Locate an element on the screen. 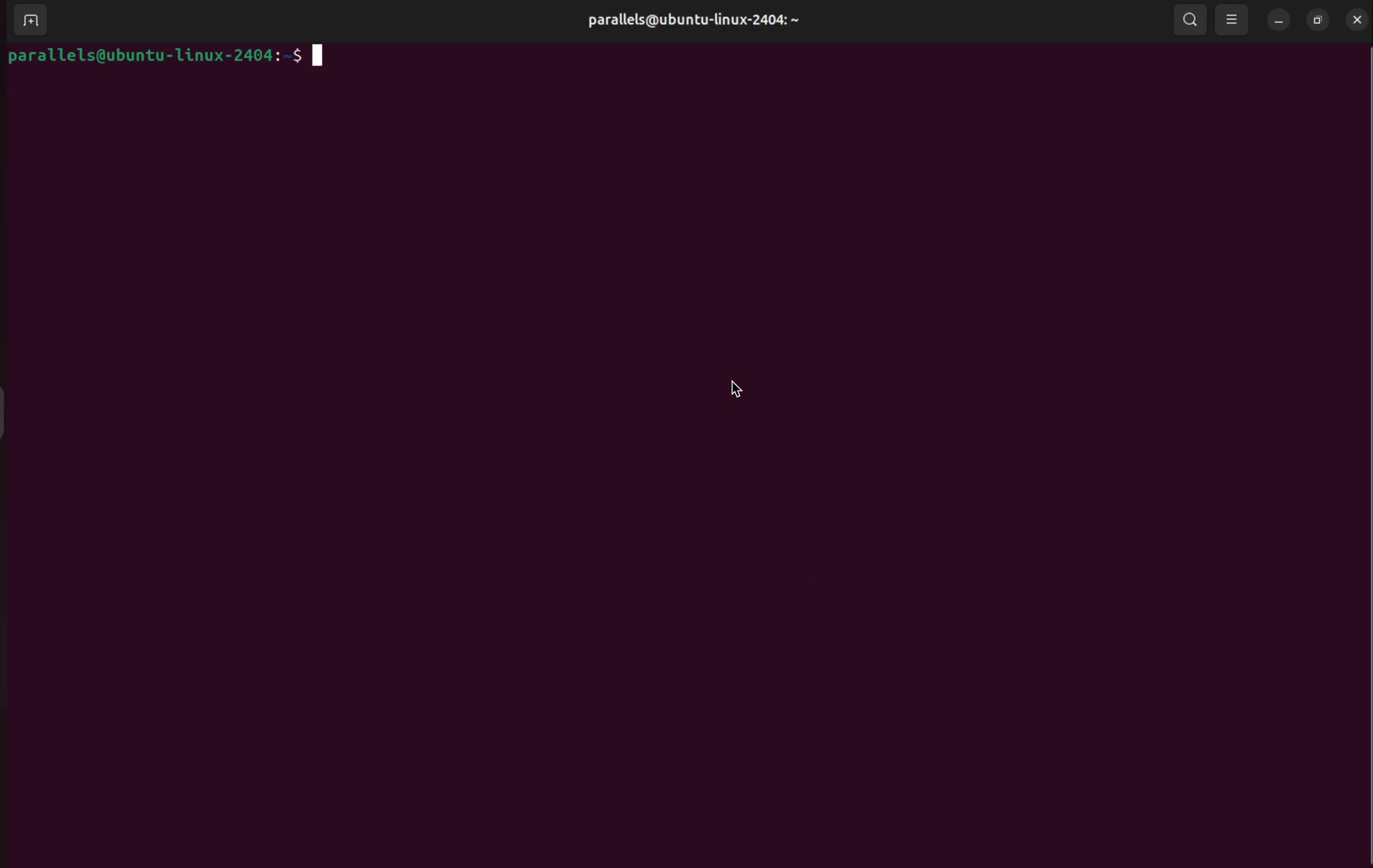 The height and width of the screenshot is (868, 1373). search is located at coordinates (1183, 19).